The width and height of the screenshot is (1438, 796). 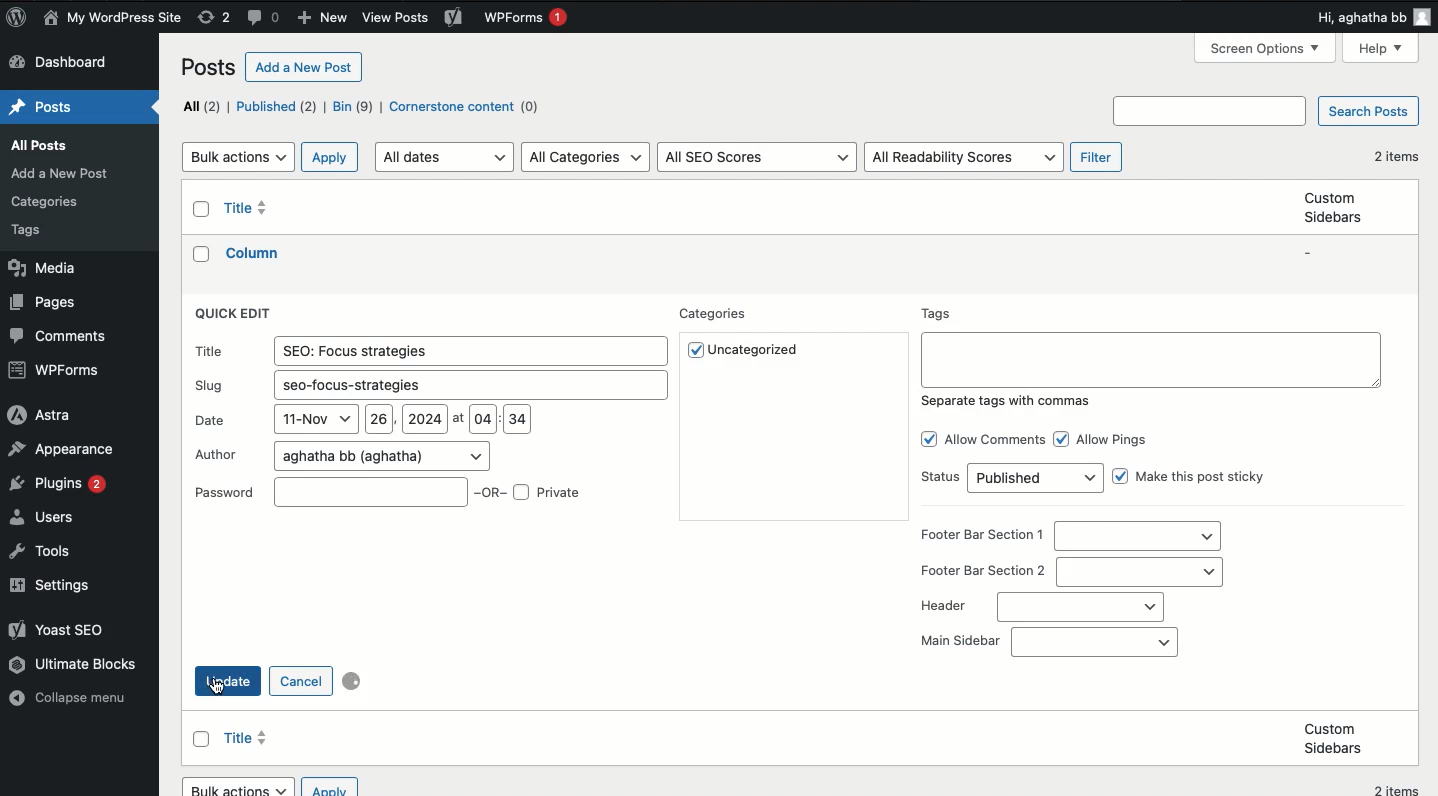 I want to click on Ultimate blocks, so click(x=75, y=664).